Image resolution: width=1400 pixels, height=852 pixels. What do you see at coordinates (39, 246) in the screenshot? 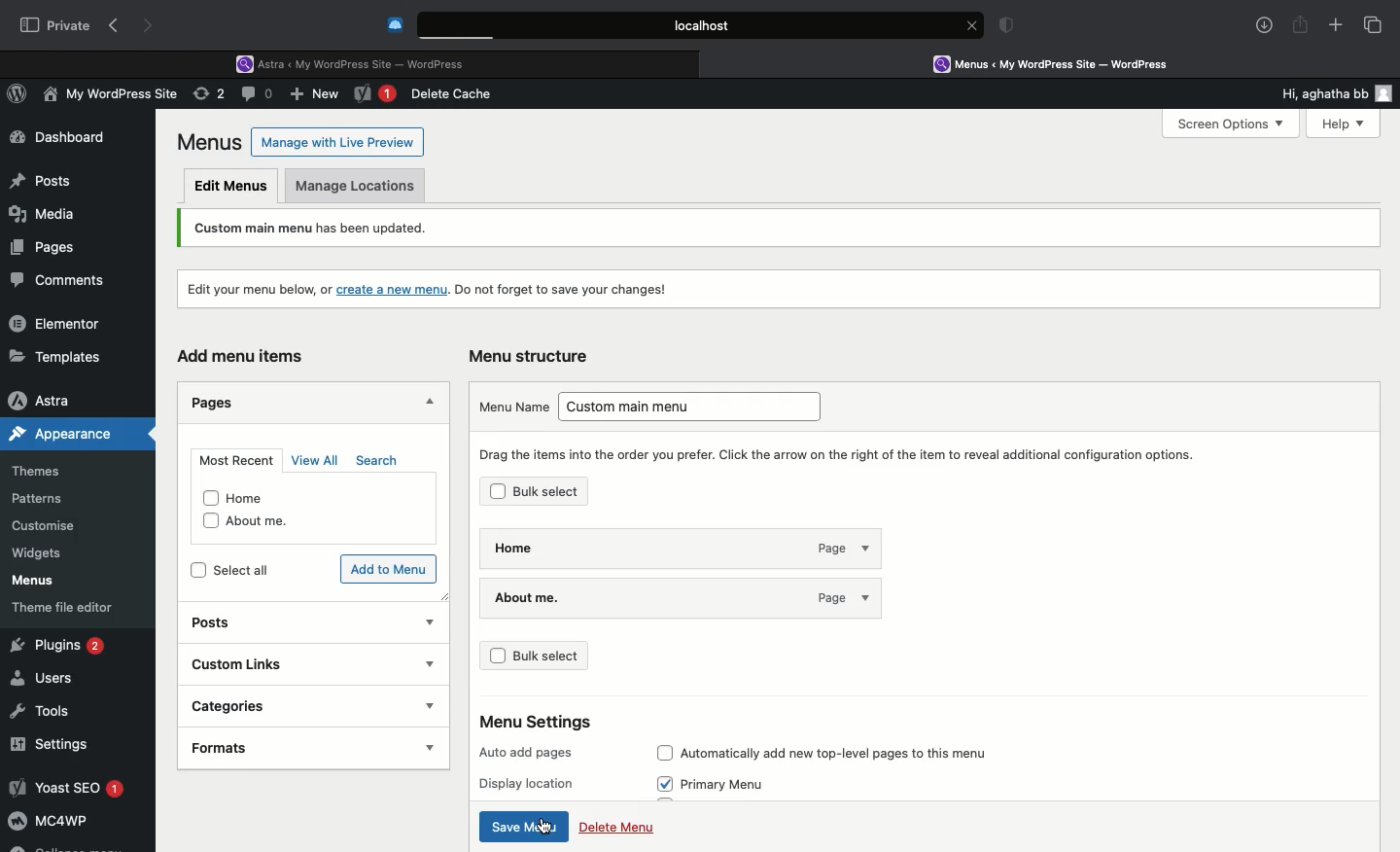
I see `Pages` at bounding box center [39, 246].